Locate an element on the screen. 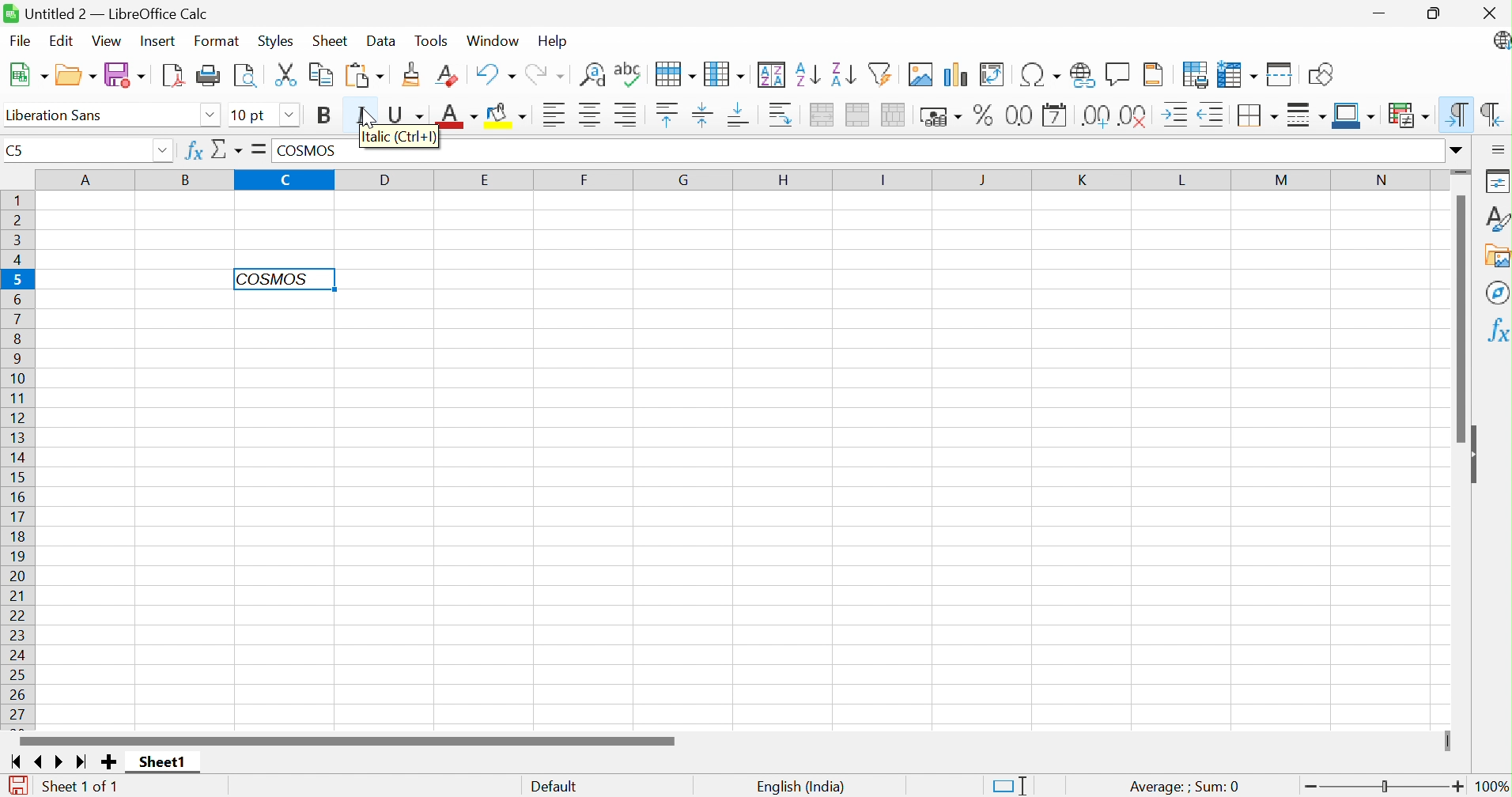 The height and width of the screenshot is (797, 1512). View is located at coordinates (107, 40).